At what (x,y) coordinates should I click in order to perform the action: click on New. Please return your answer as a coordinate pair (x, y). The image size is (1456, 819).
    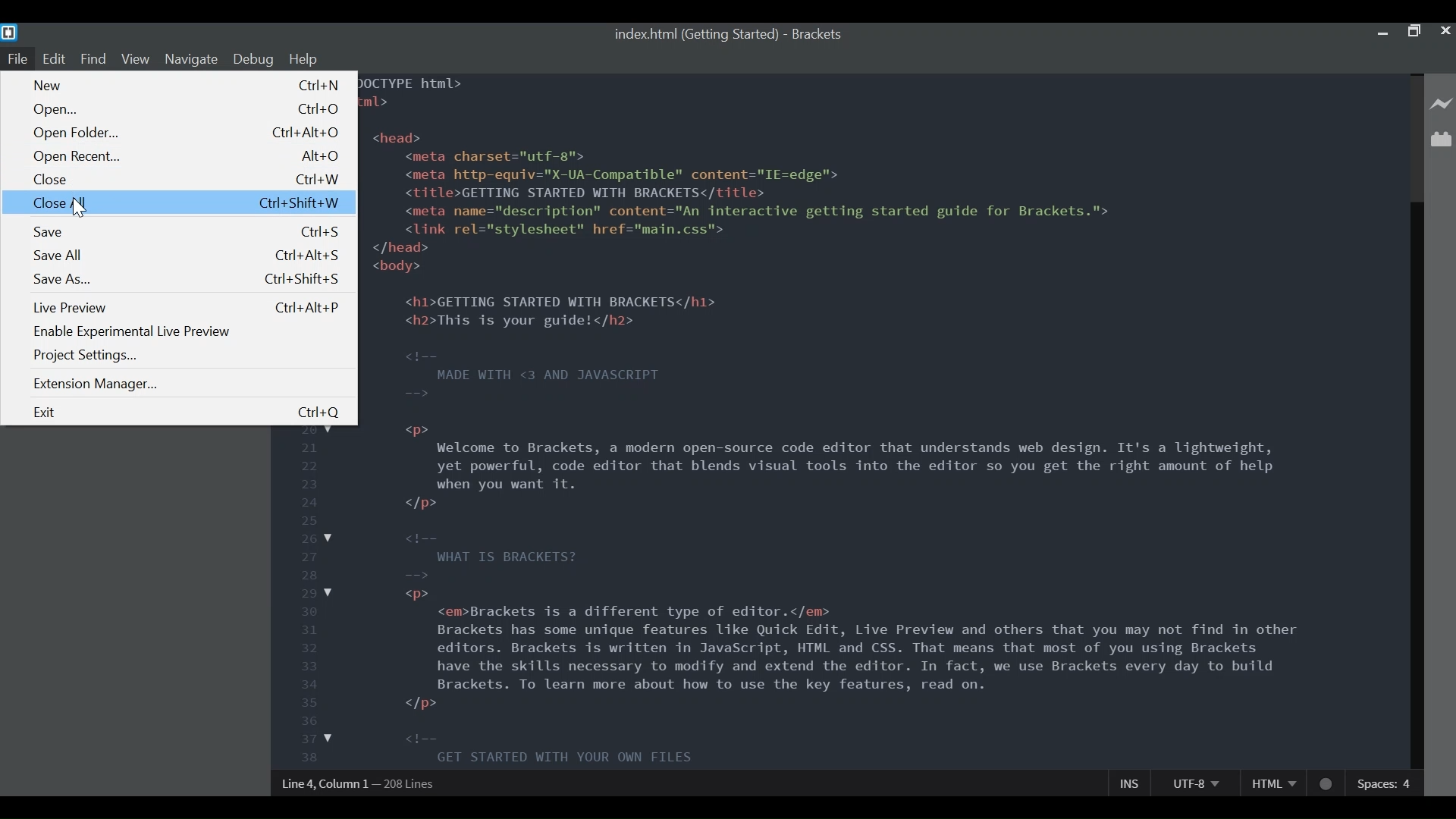
    Looking at the image, I should click on (187, 86).